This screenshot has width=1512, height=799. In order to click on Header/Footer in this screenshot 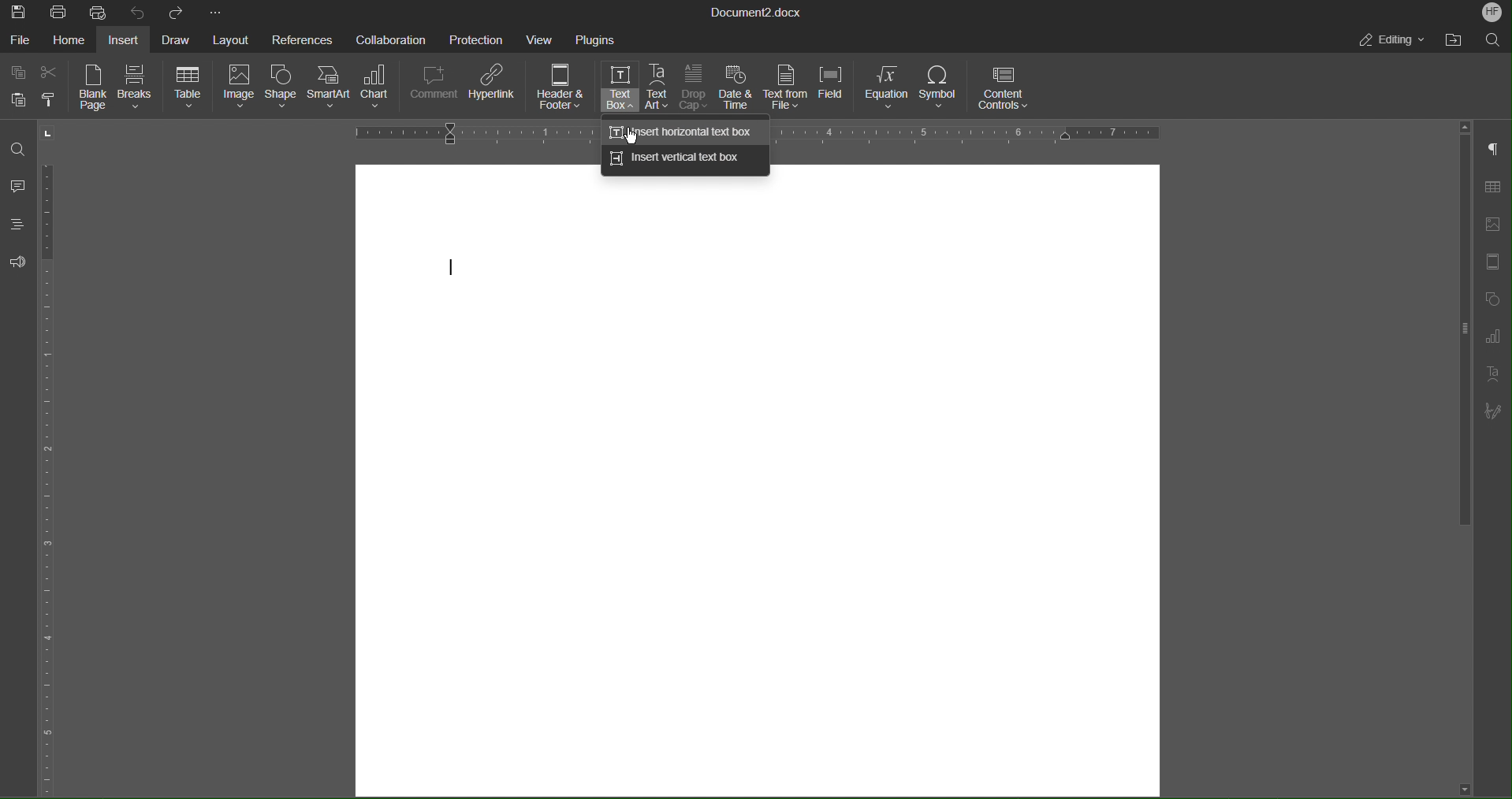, I will do `click(1490, 262)`.